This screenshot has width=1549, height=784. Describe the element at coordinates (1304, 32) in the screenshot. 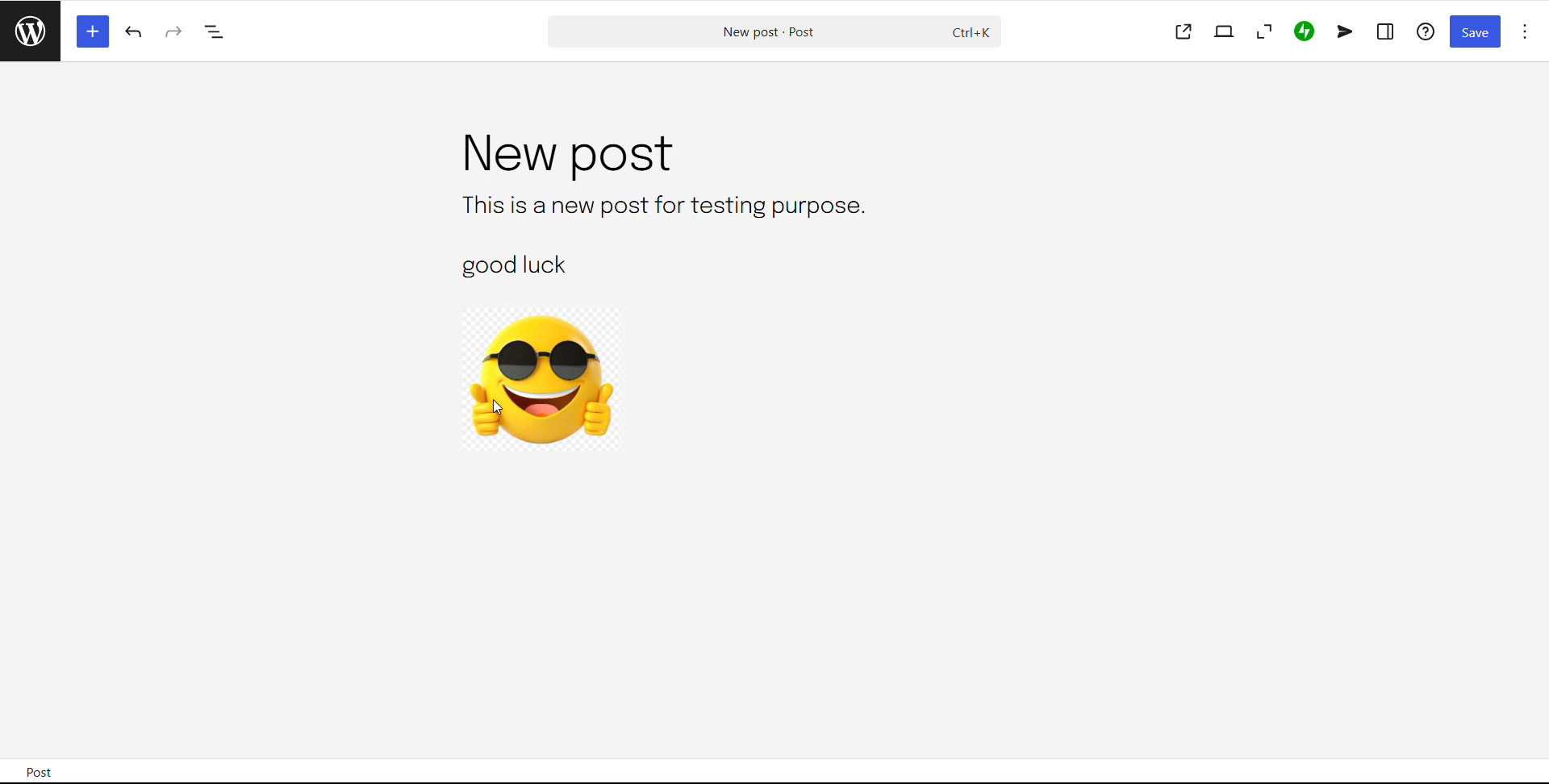

I see `jetpack` at that location.